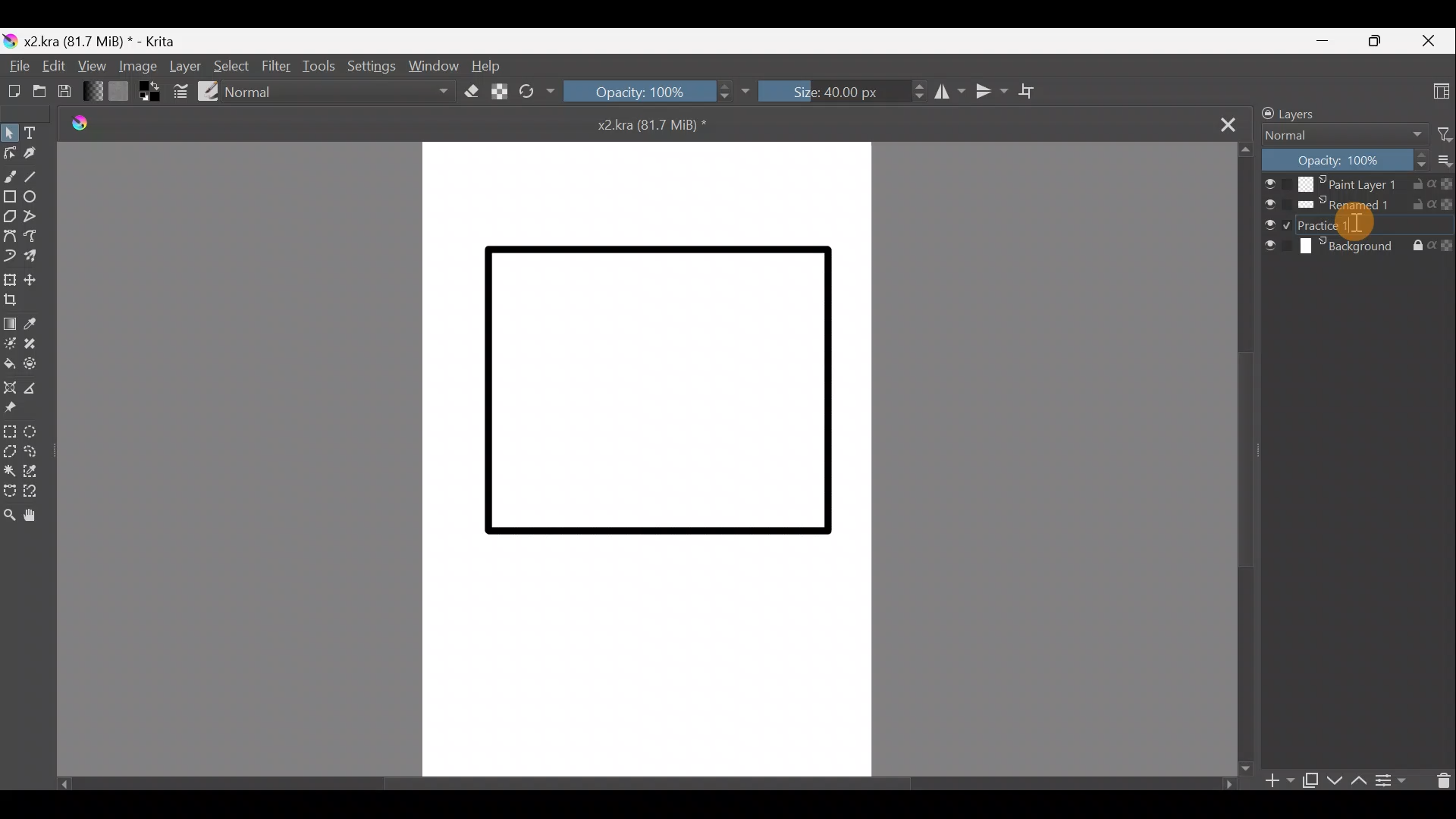  What do you see at coordinates (14, 301) in the screenshot?
I see `Crop image to an area` at bounding box center [14, 301].